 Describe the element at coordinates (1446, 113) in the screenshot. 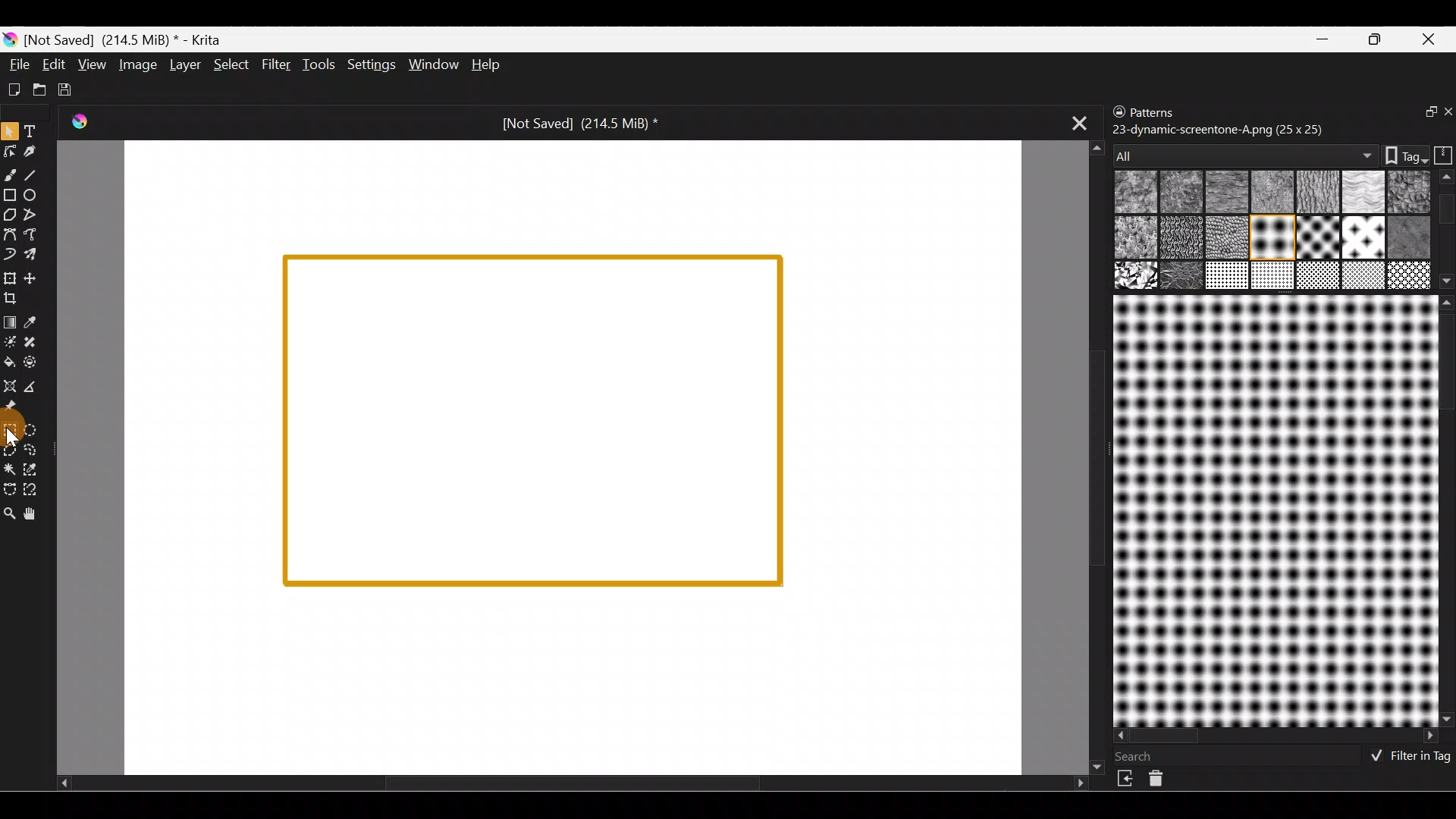

I see `Close docker` at that location.